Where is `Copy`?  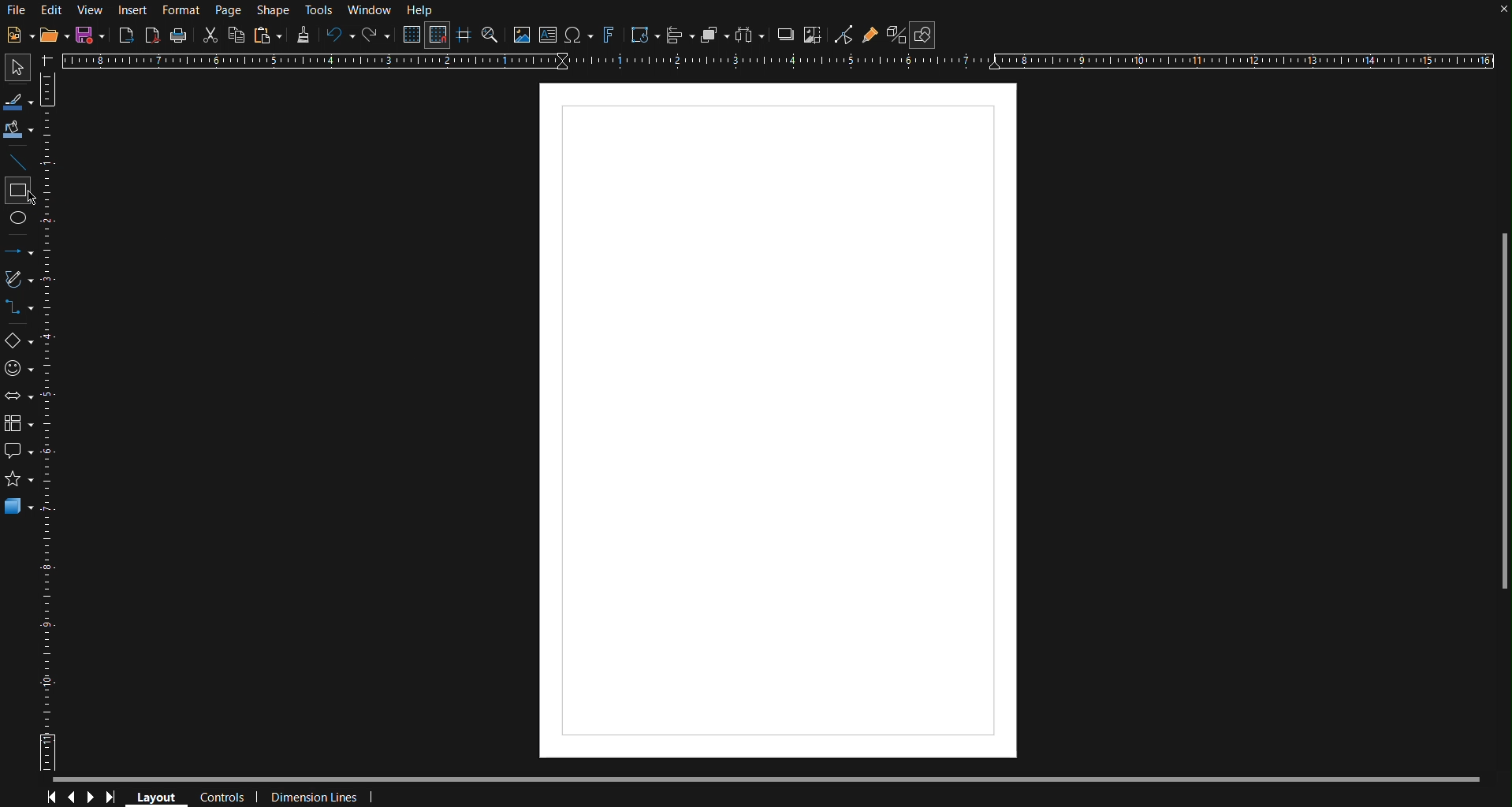
Copy is located at coordinates (236, 35).